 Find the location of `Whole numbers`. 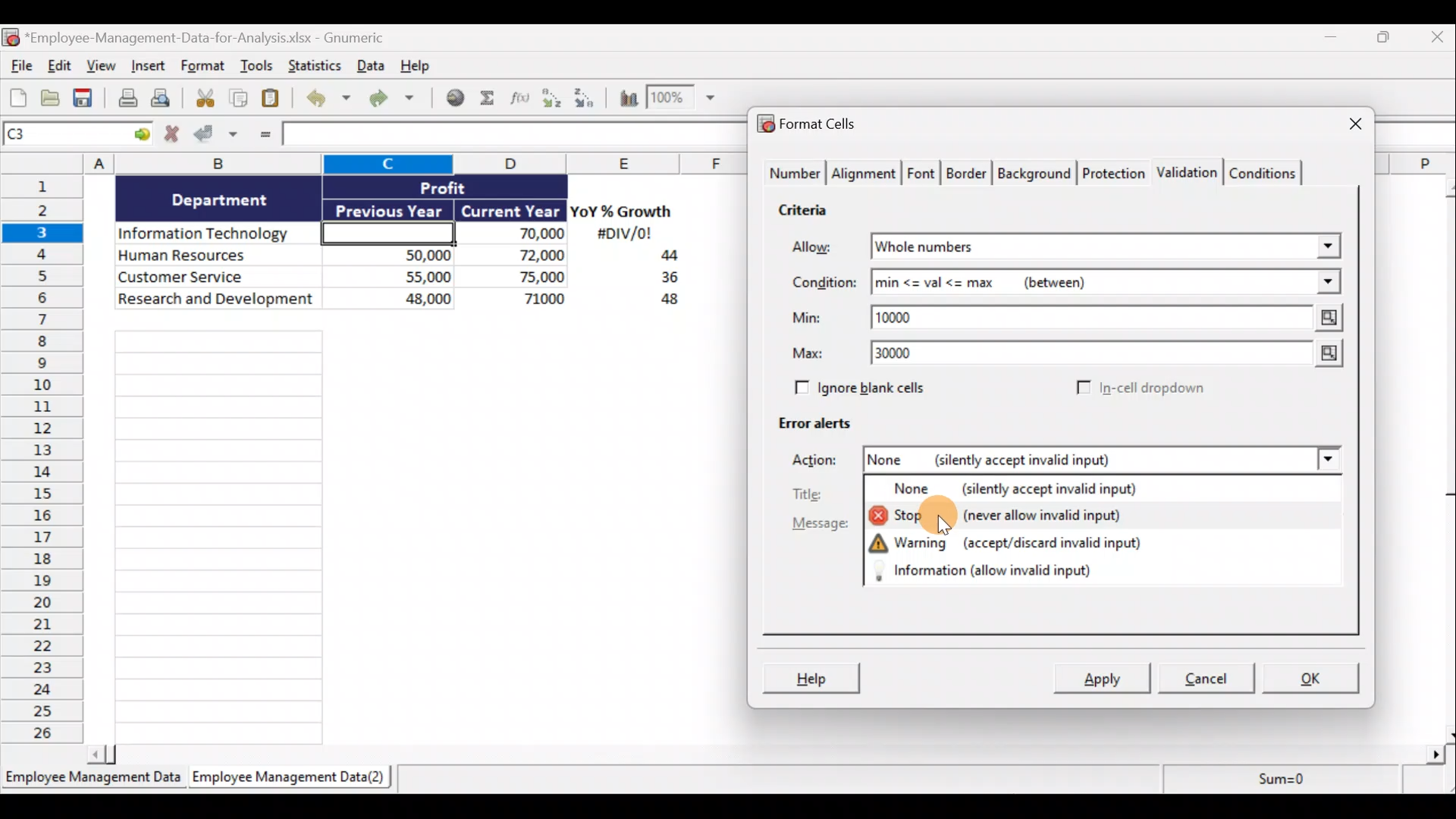

Whole numbers is located at coordinates (1018, 247).